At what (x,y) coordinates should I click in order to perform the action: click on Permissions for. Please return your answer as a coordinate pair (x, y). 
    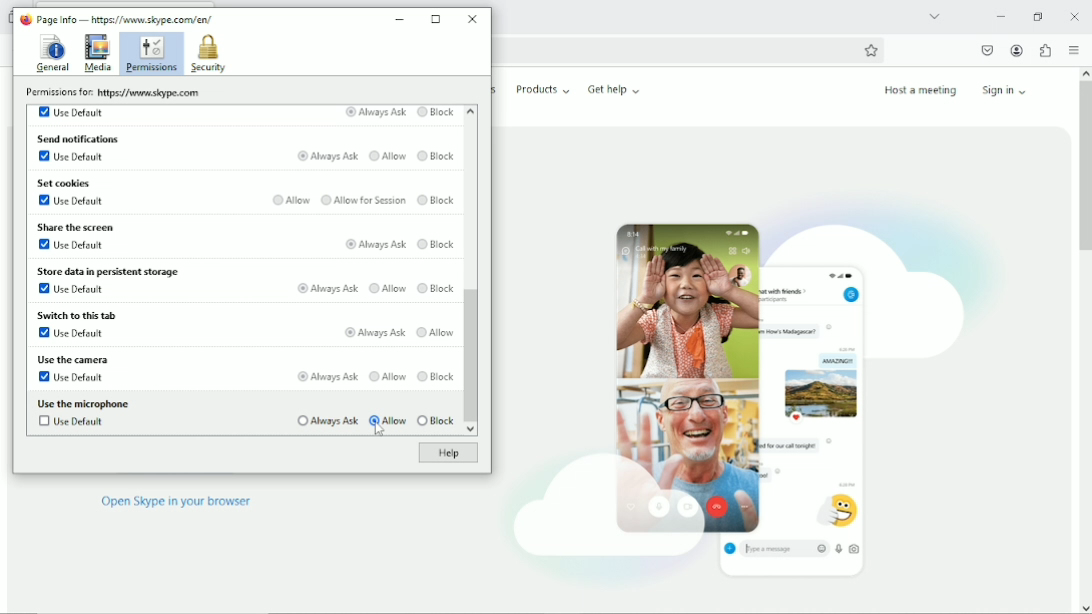
    Looking at the image, I should click on (111, 92).